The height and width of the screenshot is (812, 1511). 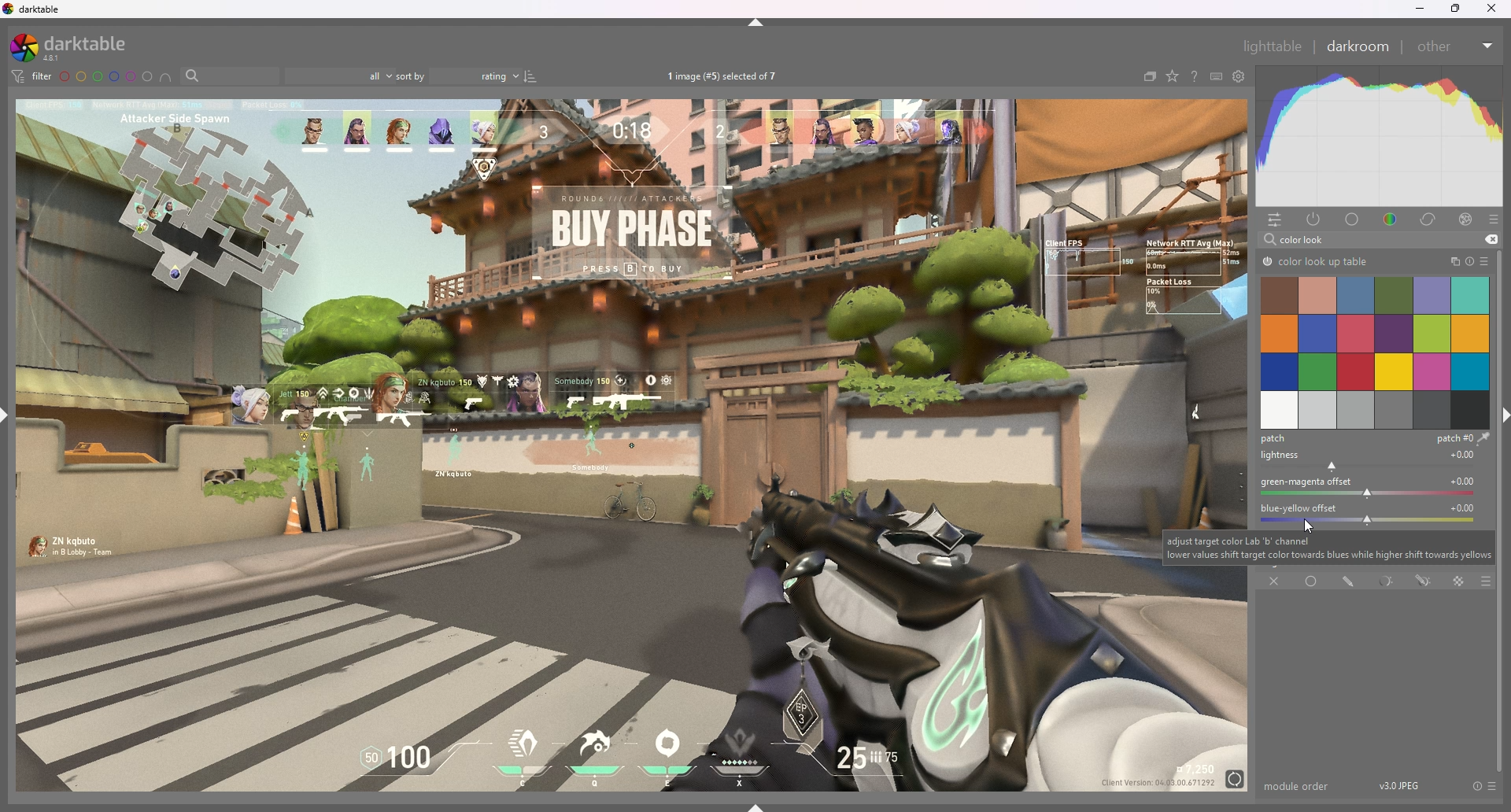 I want to click on module order, so click(x=1299, y=786).